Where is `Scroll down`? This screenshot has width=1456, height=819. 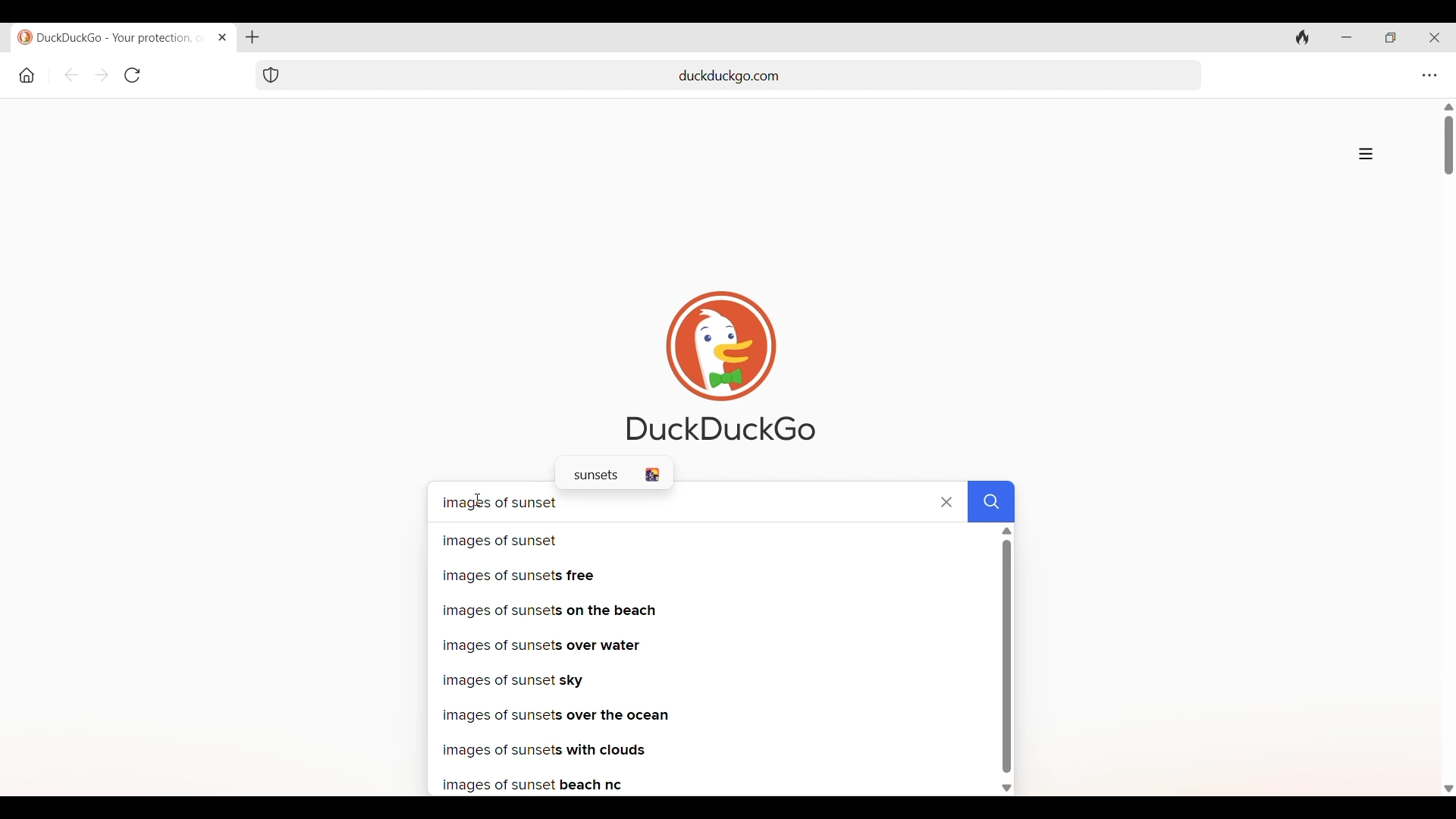
Scroll down is located at coordinates (1447, 787).